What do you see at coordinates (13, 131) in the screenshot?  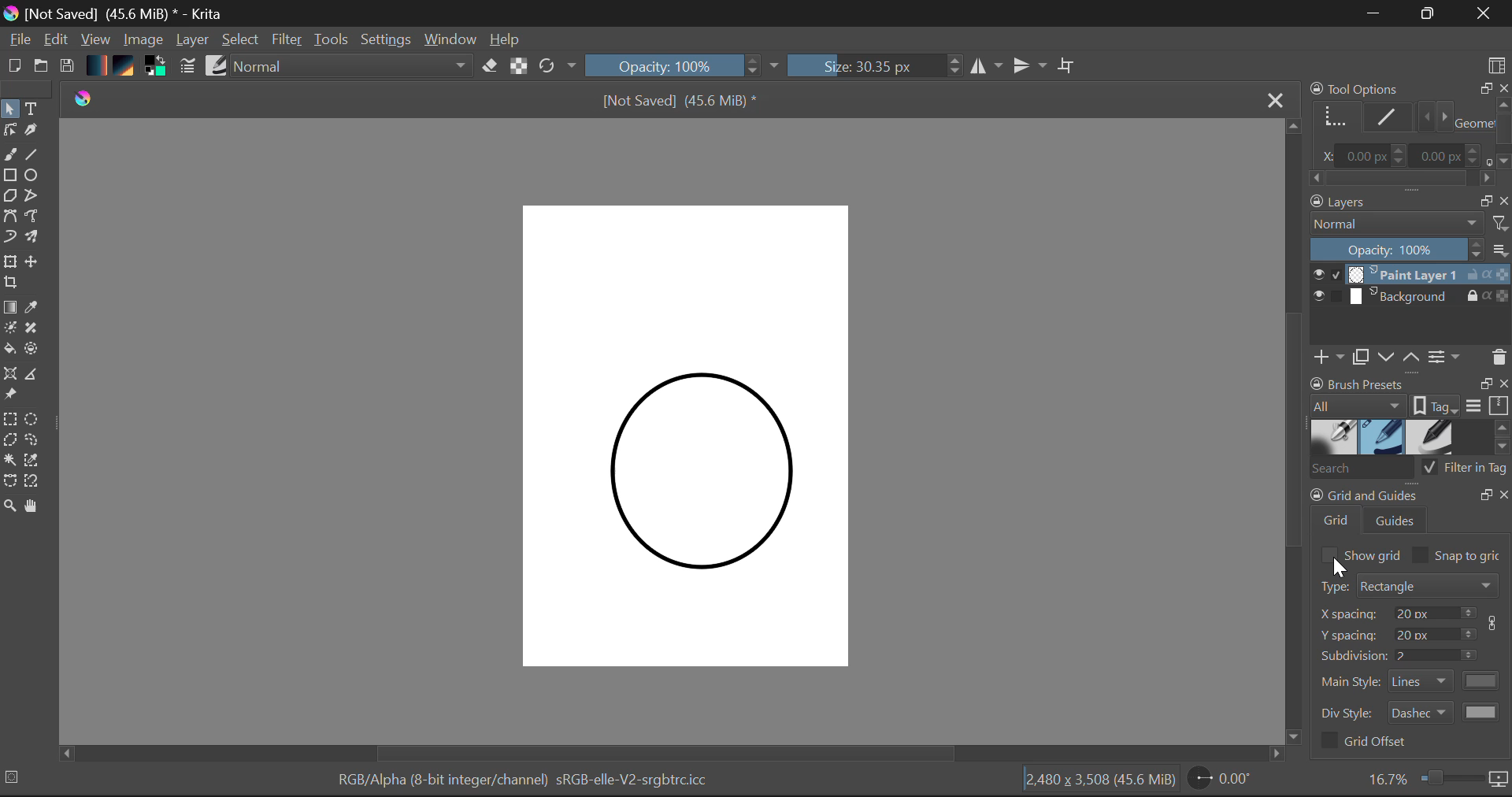 I see `Edit Shapes` at bounding box center [13, 131].